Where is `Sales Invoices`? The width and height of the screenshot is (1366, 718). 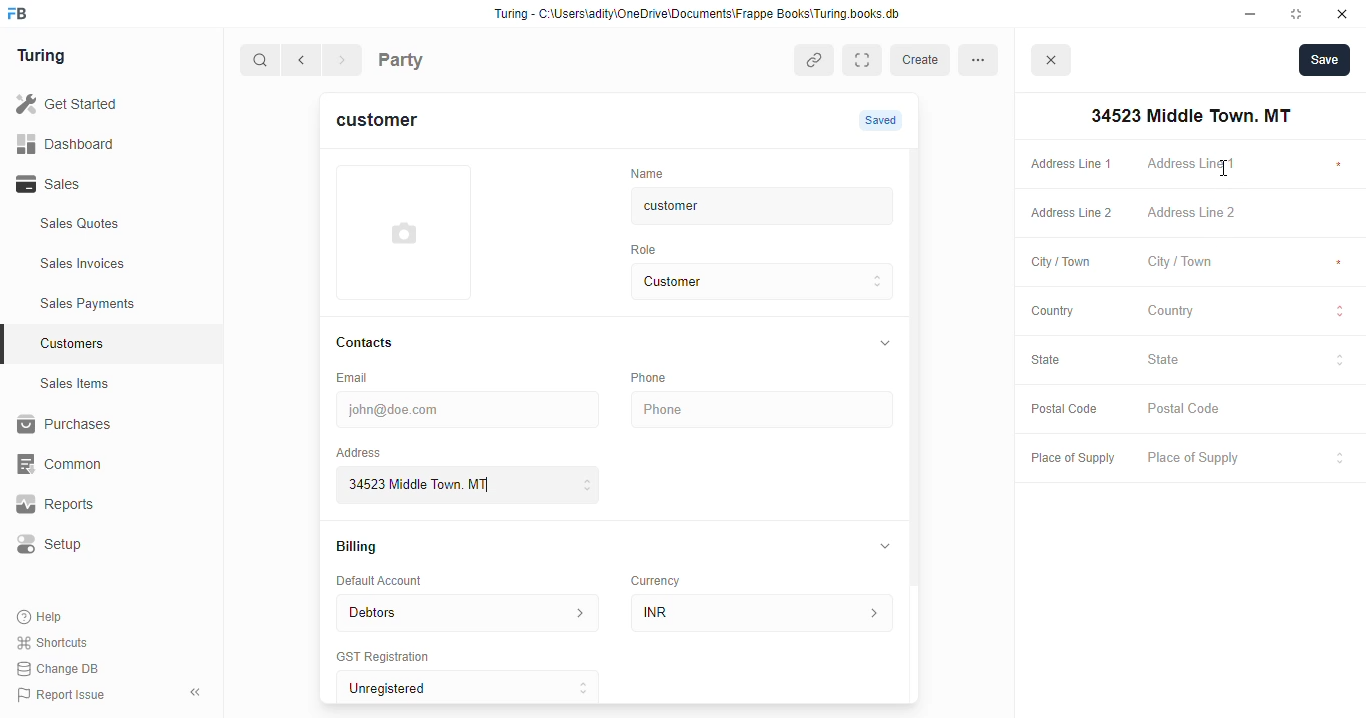 Sales Invoices is located at coordinates (117, 264).